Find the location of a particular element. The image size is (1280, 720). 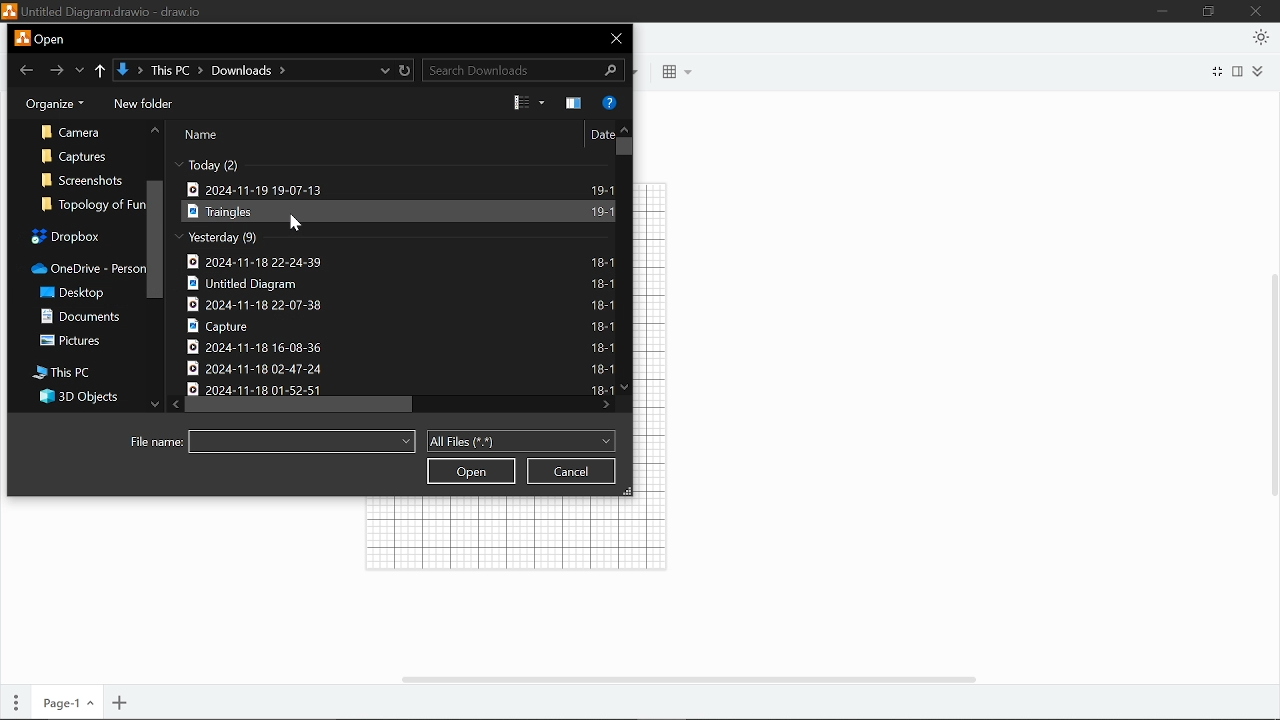

Open is located at coordinates (49, 39).